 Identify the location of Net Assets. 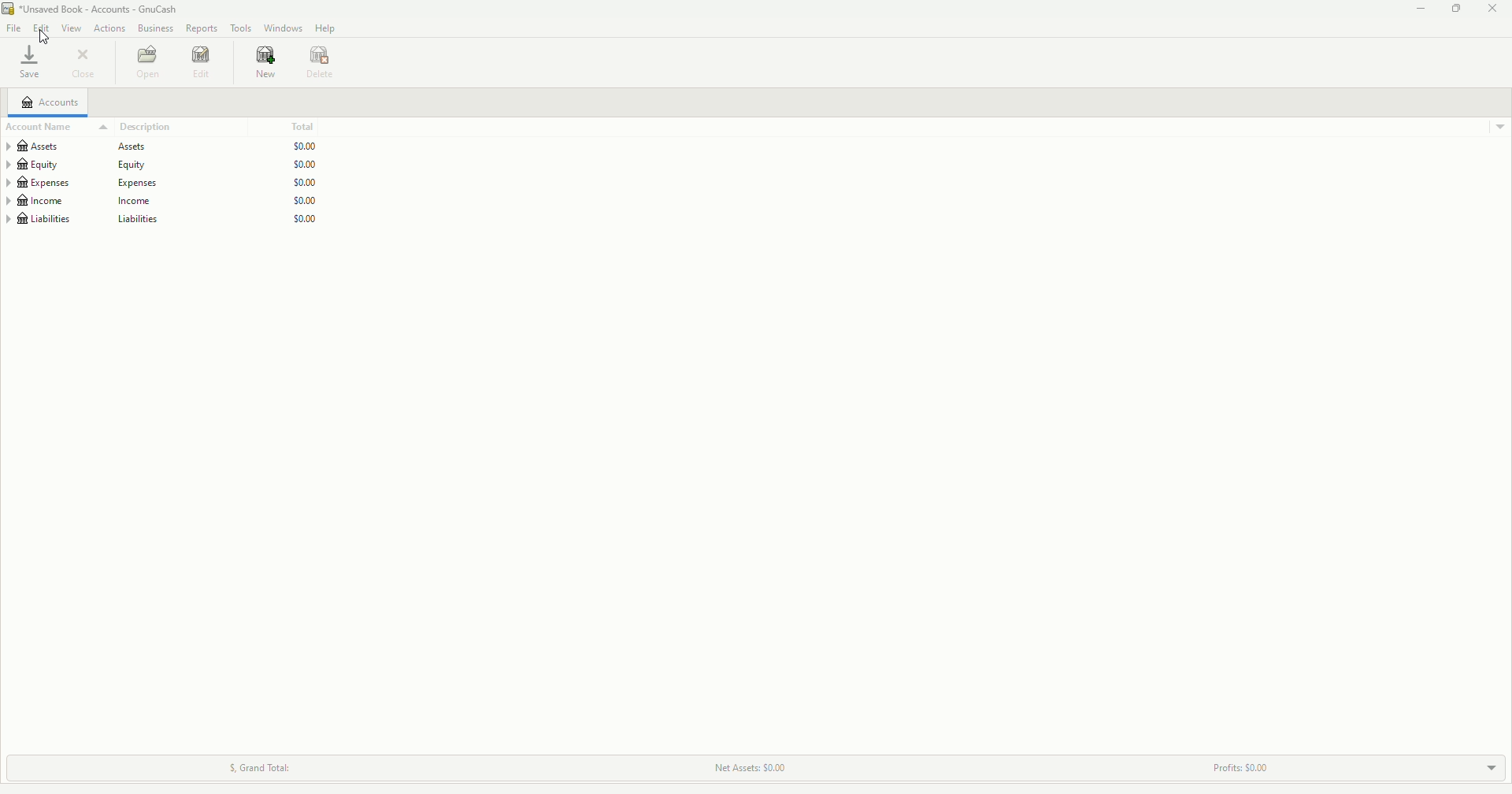
(752, 767).